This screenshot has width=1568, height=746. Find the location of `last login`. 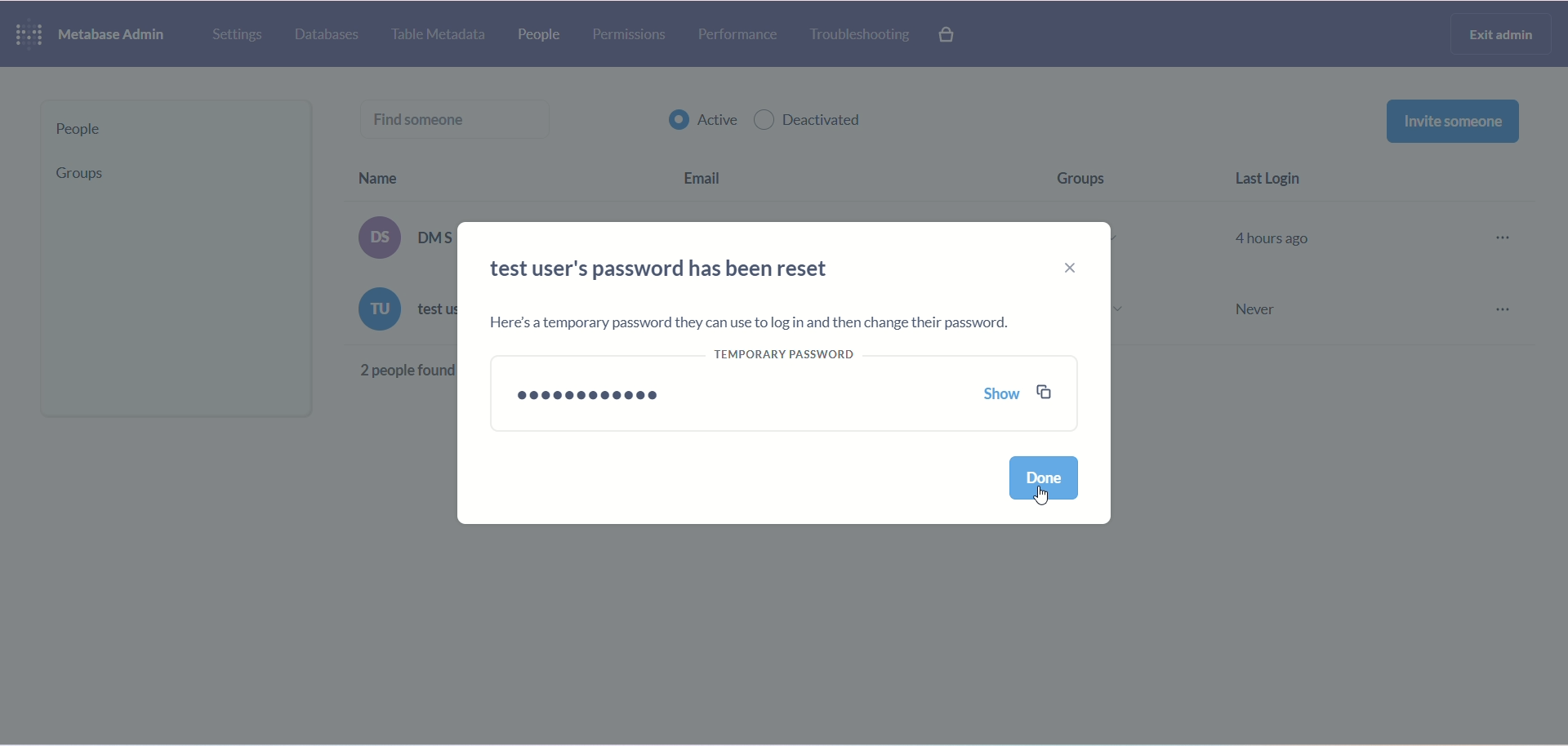

last login is located at coordinates (1275, 180).